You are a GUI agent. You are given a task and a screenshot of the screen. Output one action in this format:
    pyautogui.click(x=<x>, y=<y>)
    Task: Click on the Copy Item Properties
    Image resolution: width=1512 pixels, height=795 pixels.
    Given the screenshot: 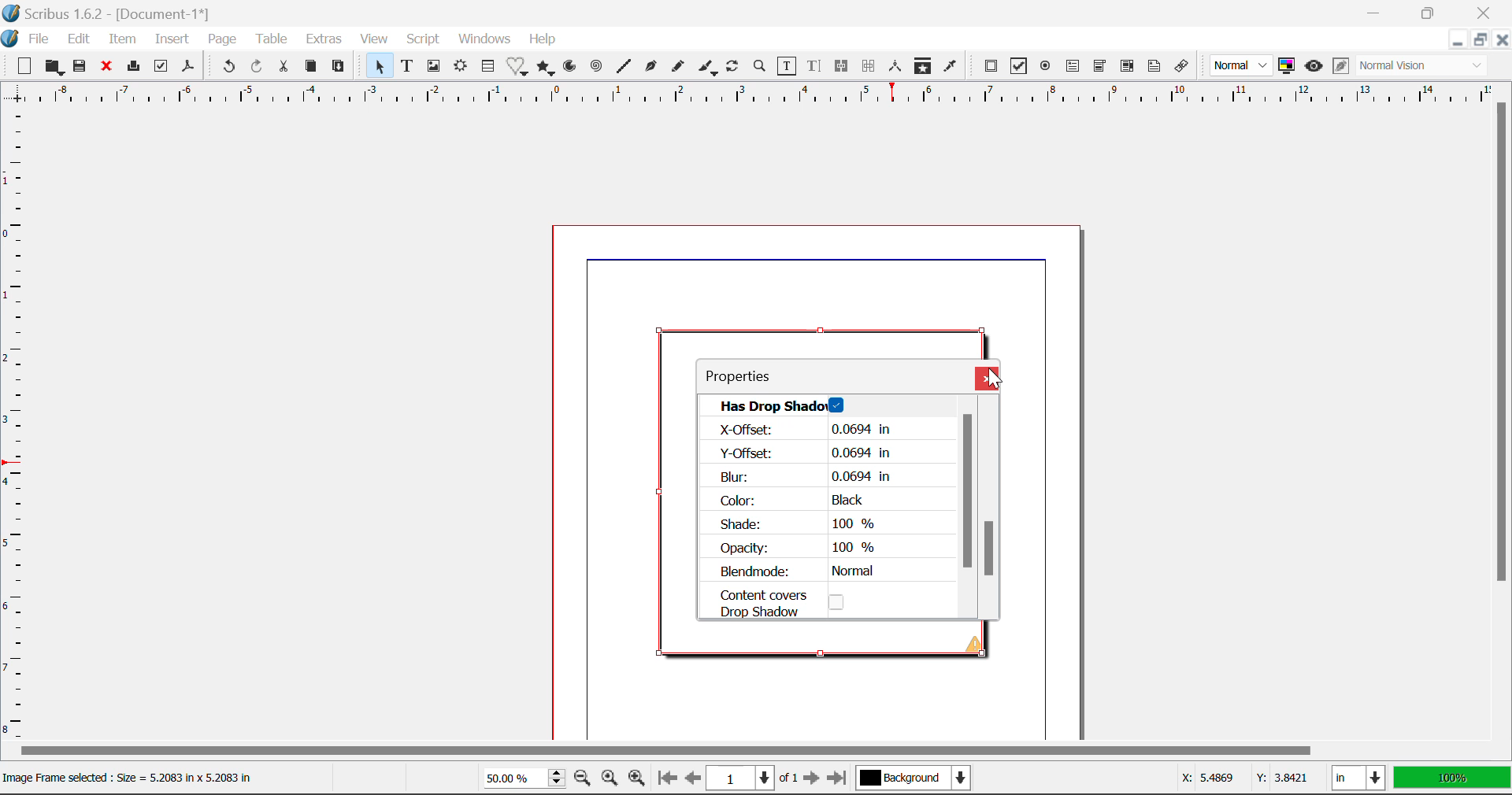 What is the action you would take?
    pyautogui.click(x=921, y=66)
    